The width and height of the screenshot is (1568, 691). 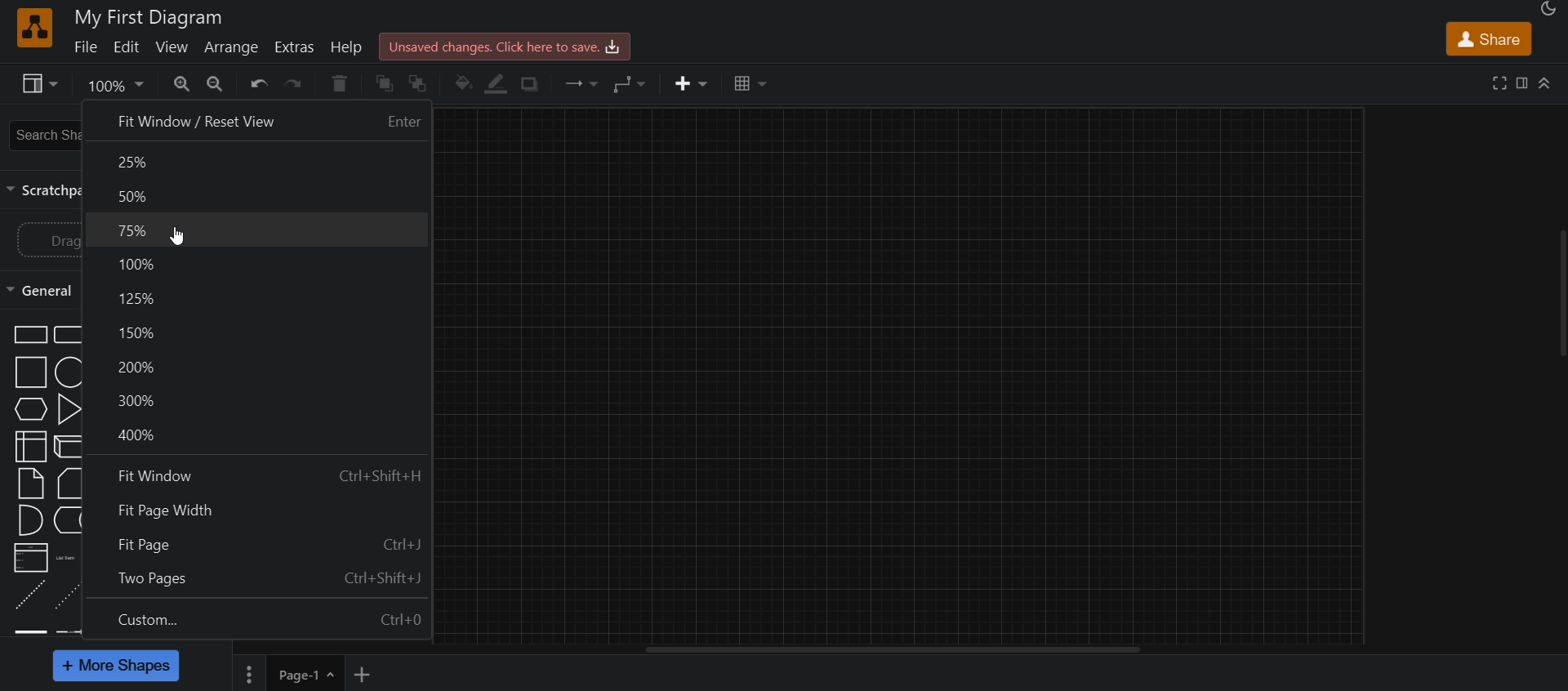 I want to click on collapse/expand, so click(x=1548, y=83).